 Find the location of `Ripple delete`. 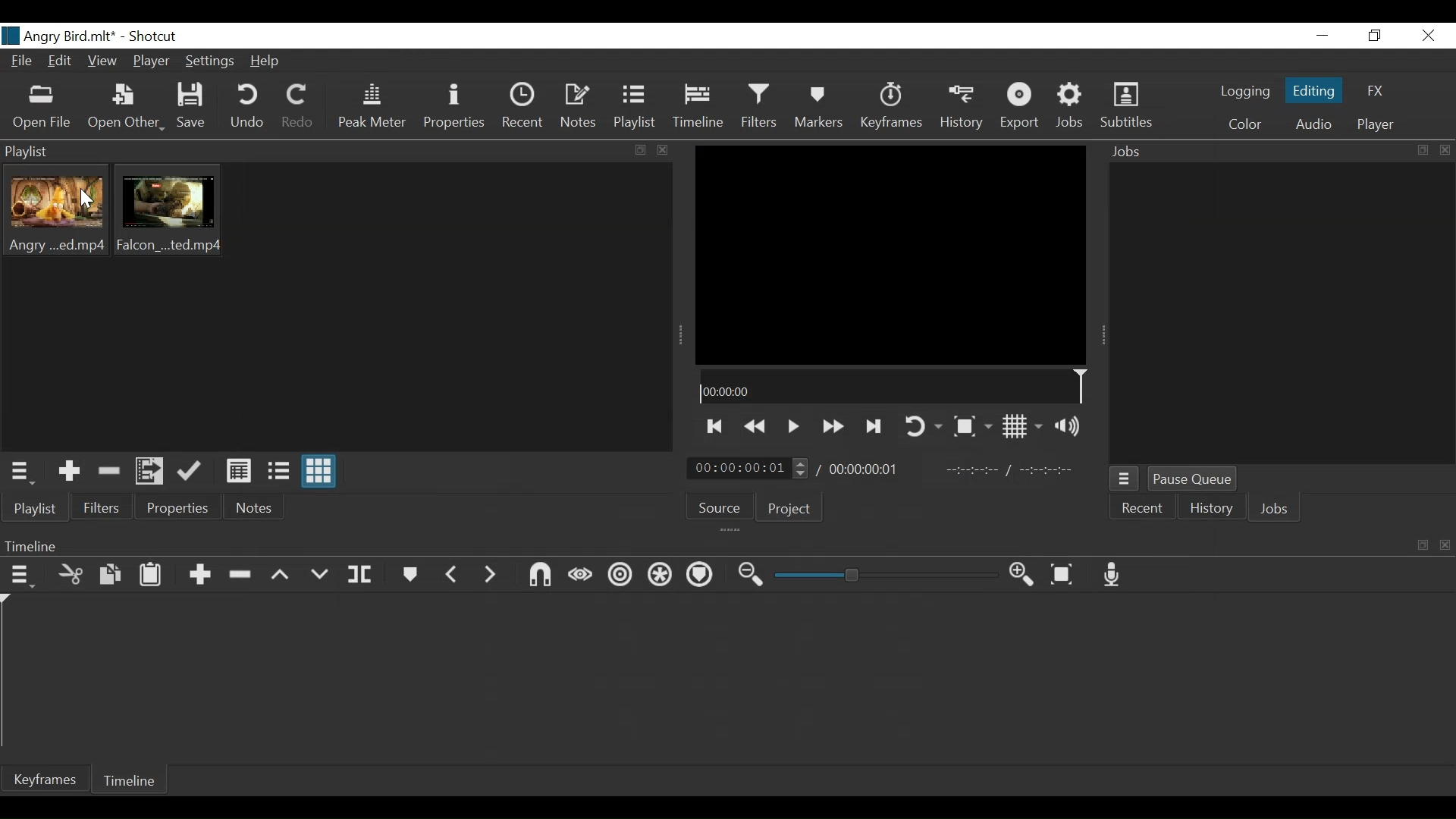

Ripple delete is located at coordinates (242, 576).